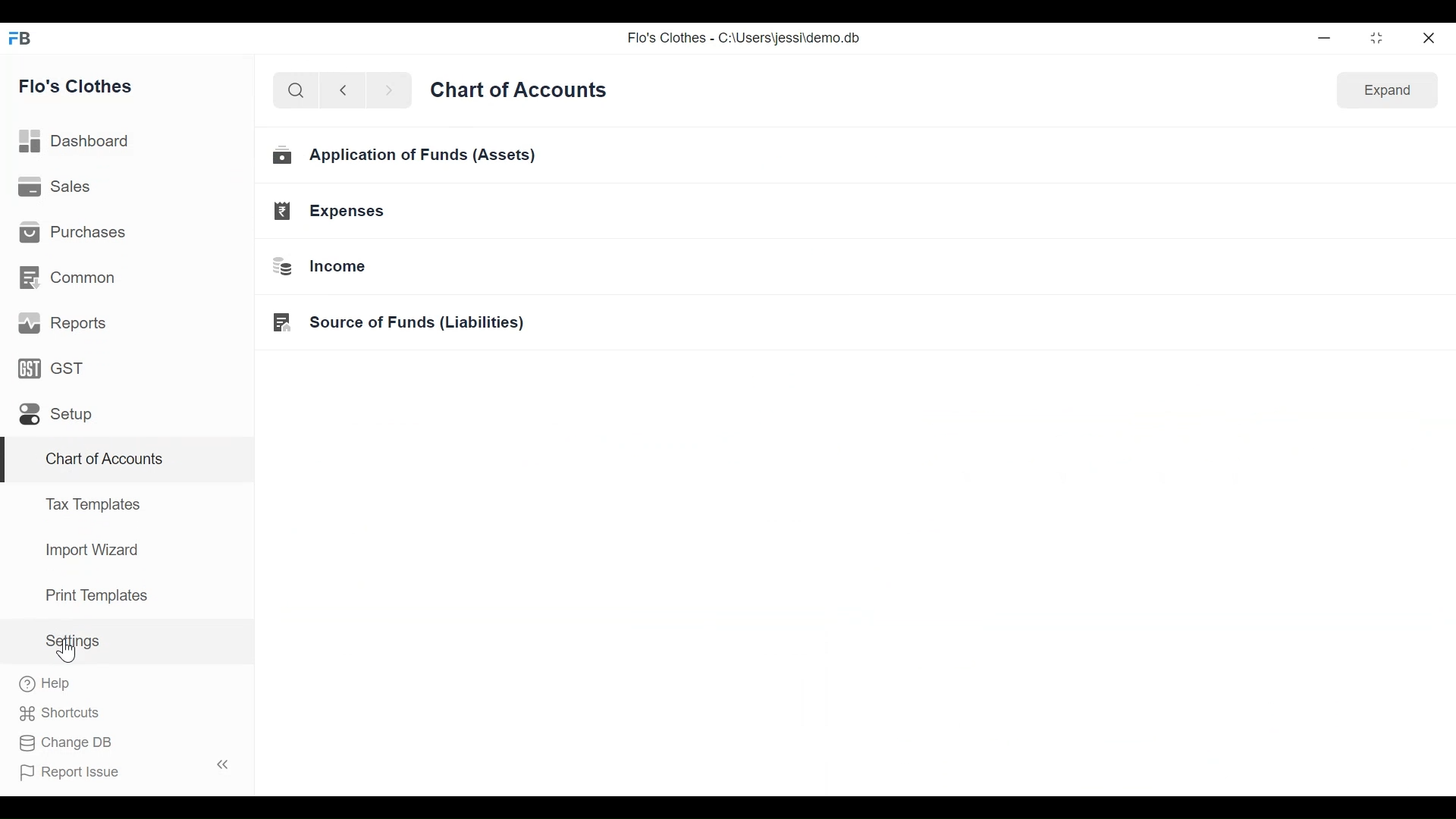 The image size is (1456, 819). What do you see at coordinates (50, 368) in the screenshot?
I see `GST` at bounding box center [50, 368].